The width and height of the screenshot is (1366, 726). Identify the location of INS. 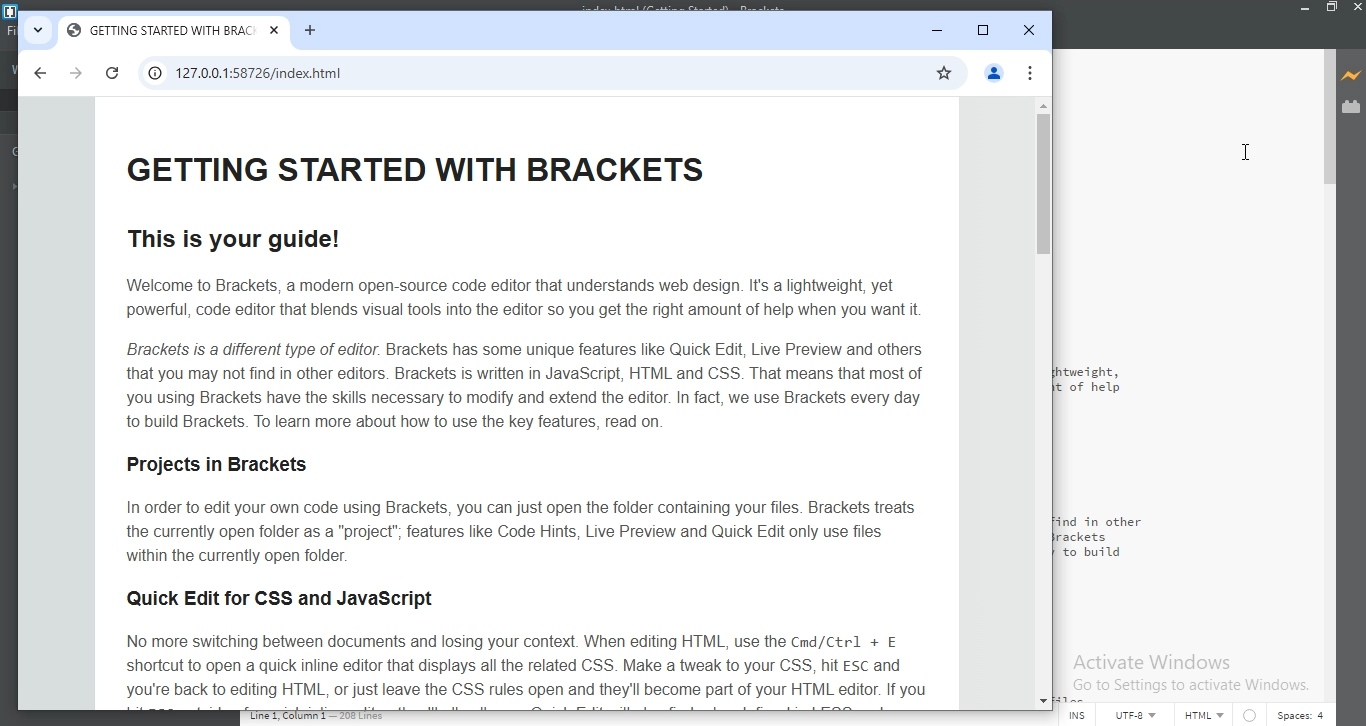
(1071, 717).